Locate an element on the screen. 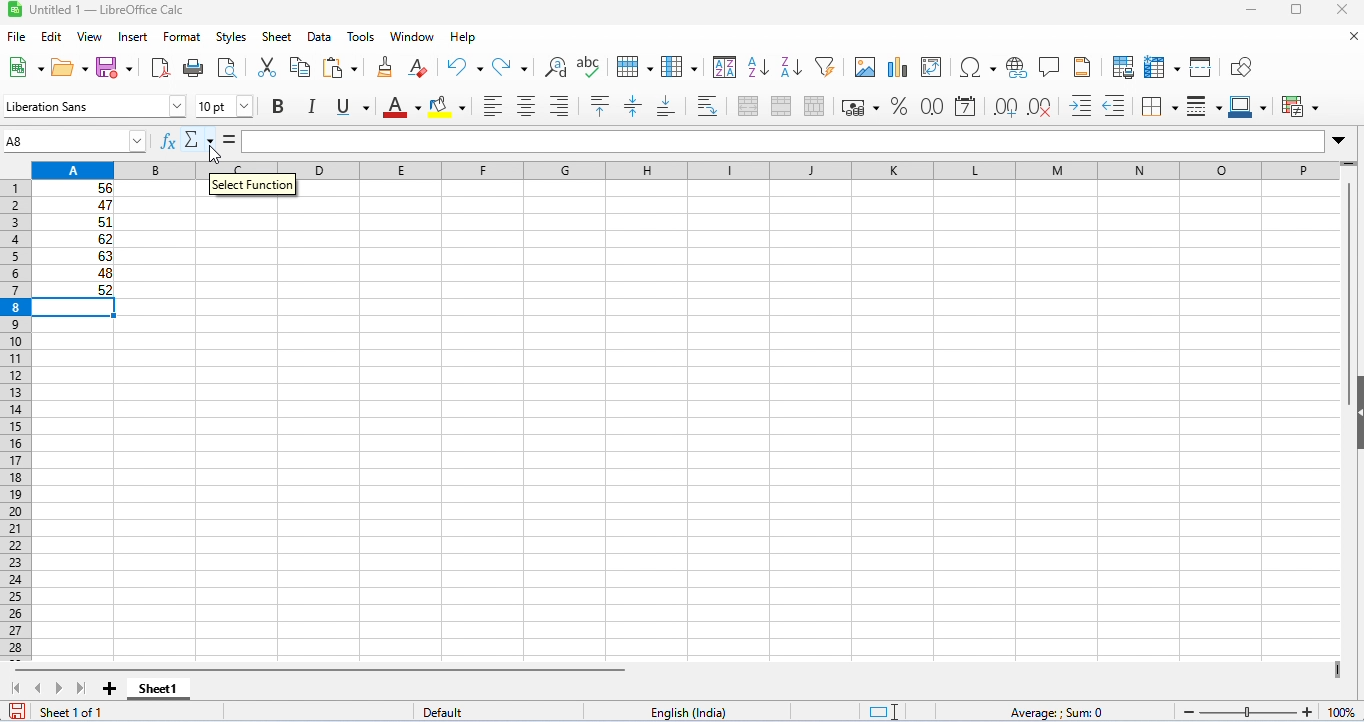 The image size is (1364, 722). conditional is located at coordinates (1301, 106).